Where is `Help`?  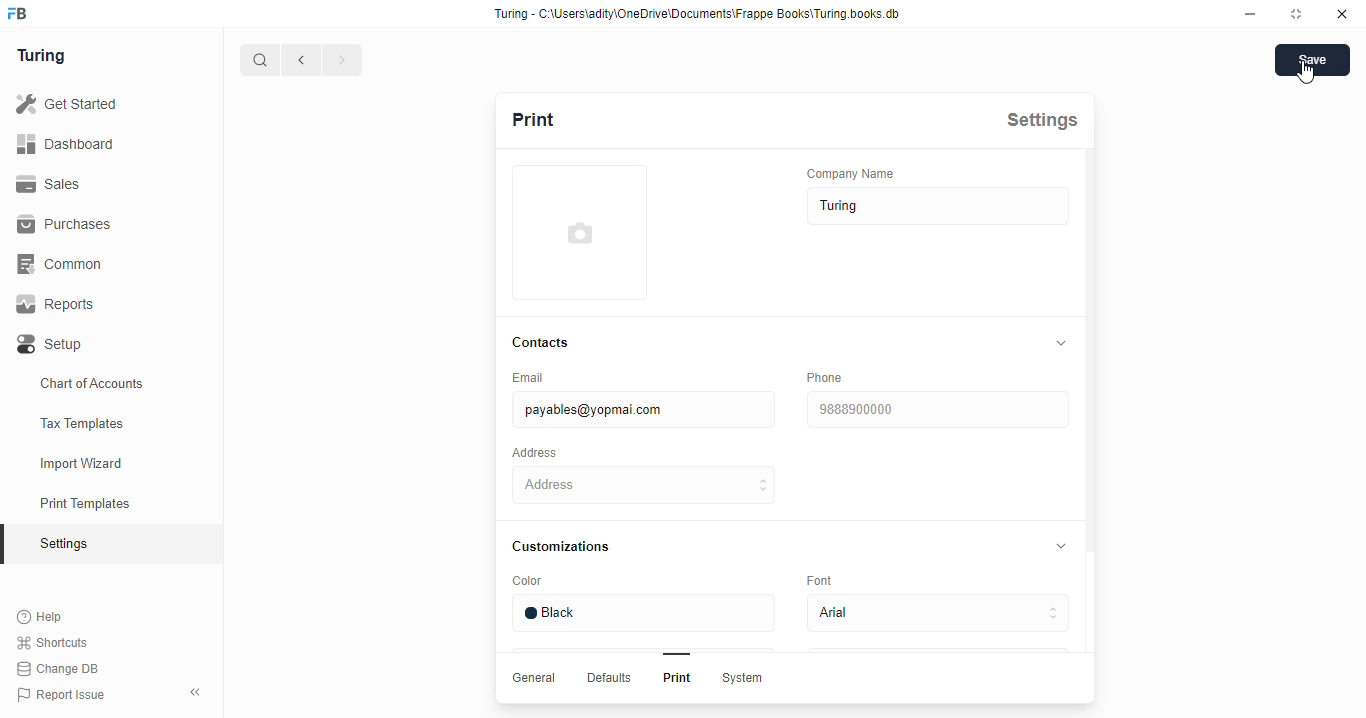
Help is located at coordinates (54, 616).